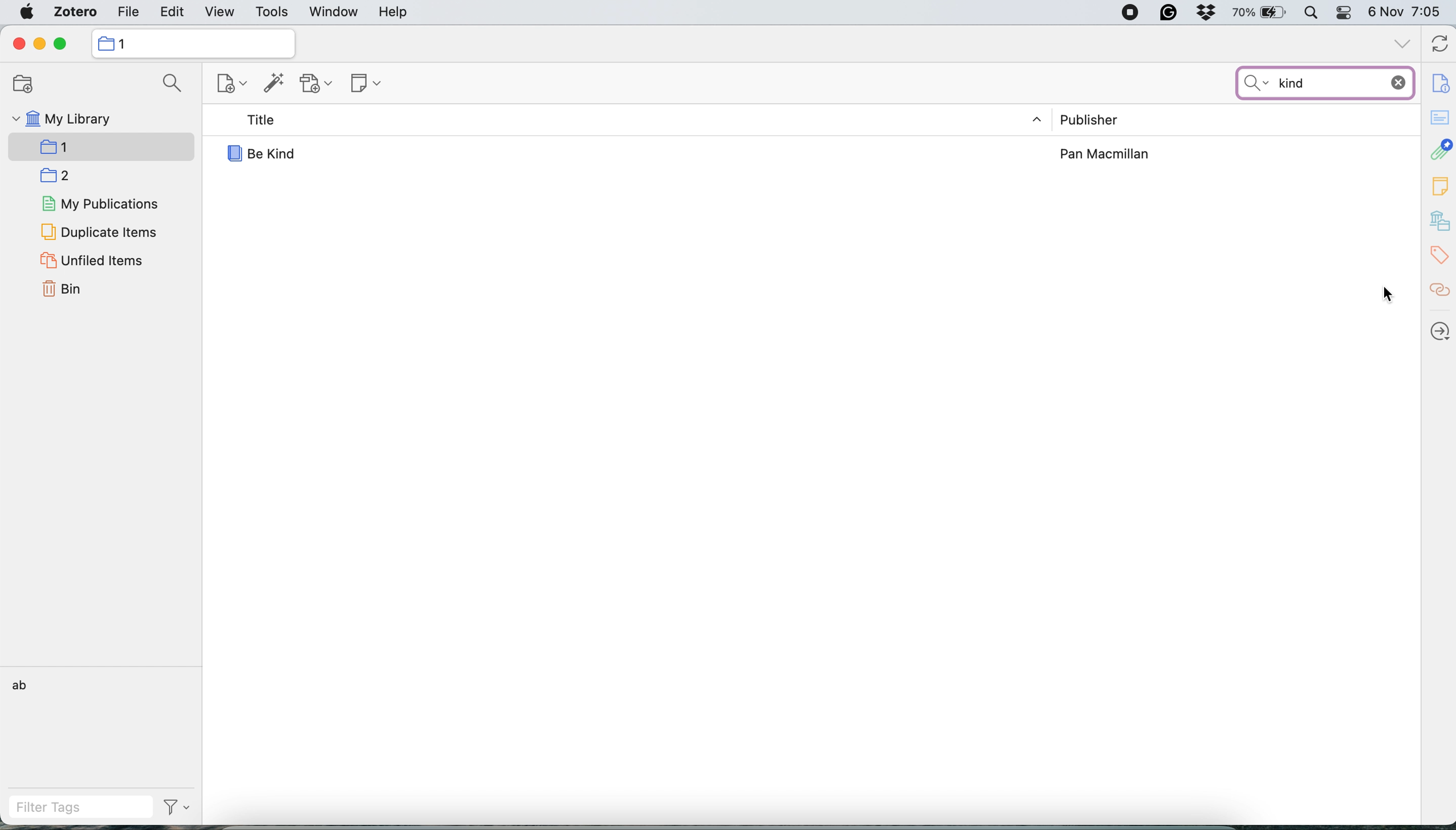  What do you see at coordinates (332, 13) in the screenshot?
I see `window` at bounding box center [332, 13].